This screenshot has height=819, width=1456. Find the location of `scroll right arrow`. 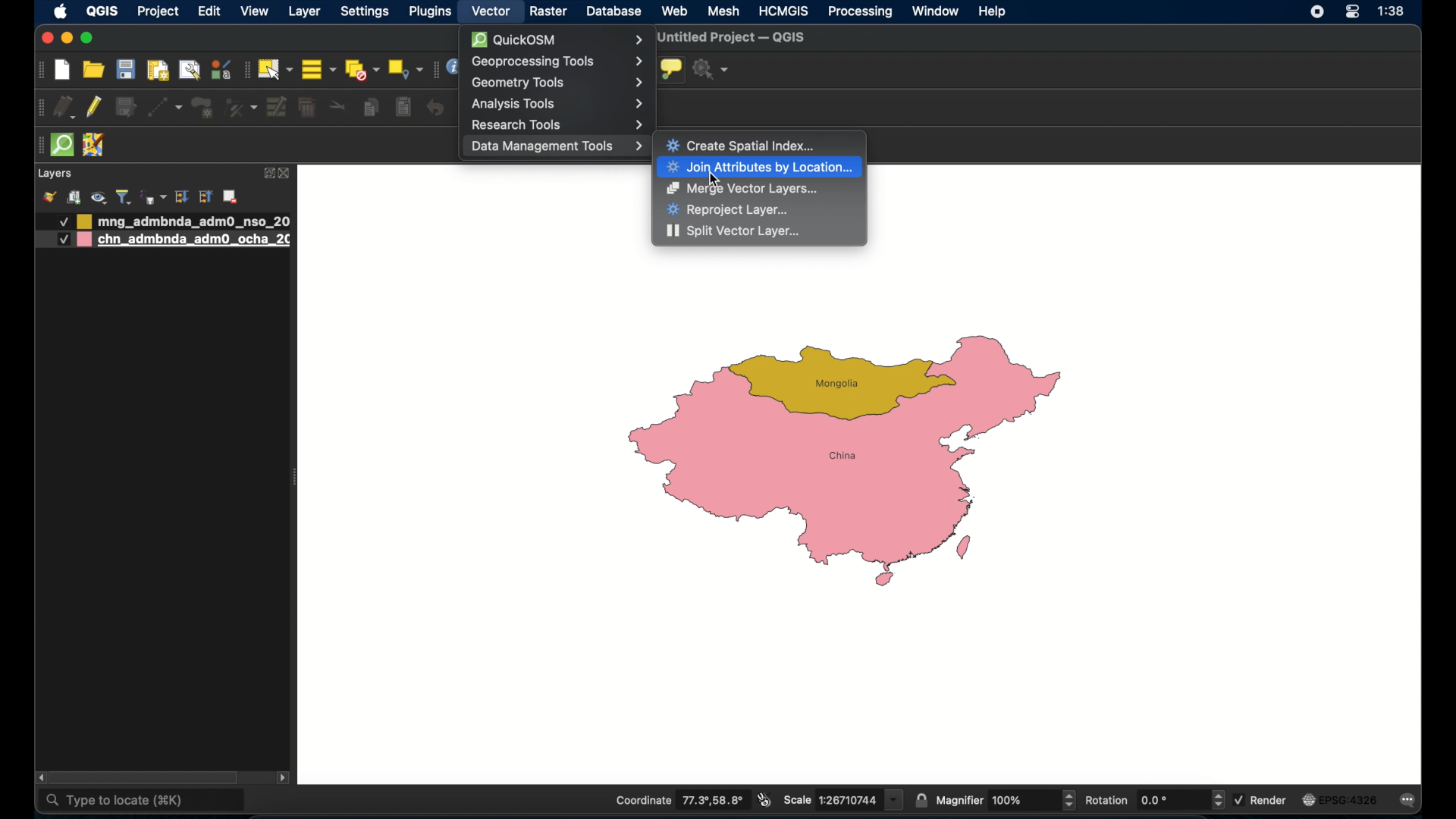

scroll right arrow is located at coordinates (287, 777).